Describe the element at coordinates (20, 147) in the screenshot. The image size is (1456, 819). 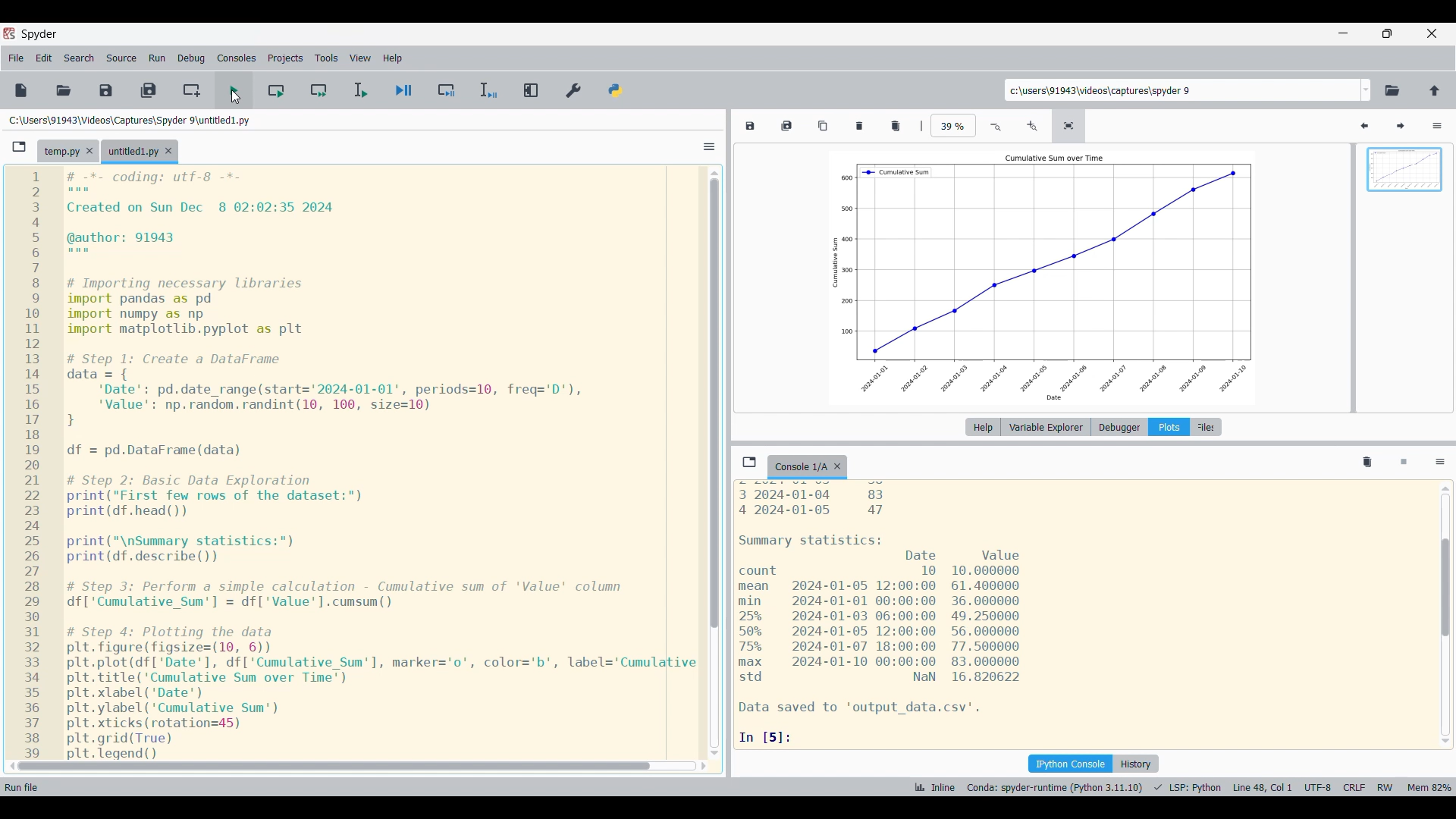
I see `Browse tabs` at that location.